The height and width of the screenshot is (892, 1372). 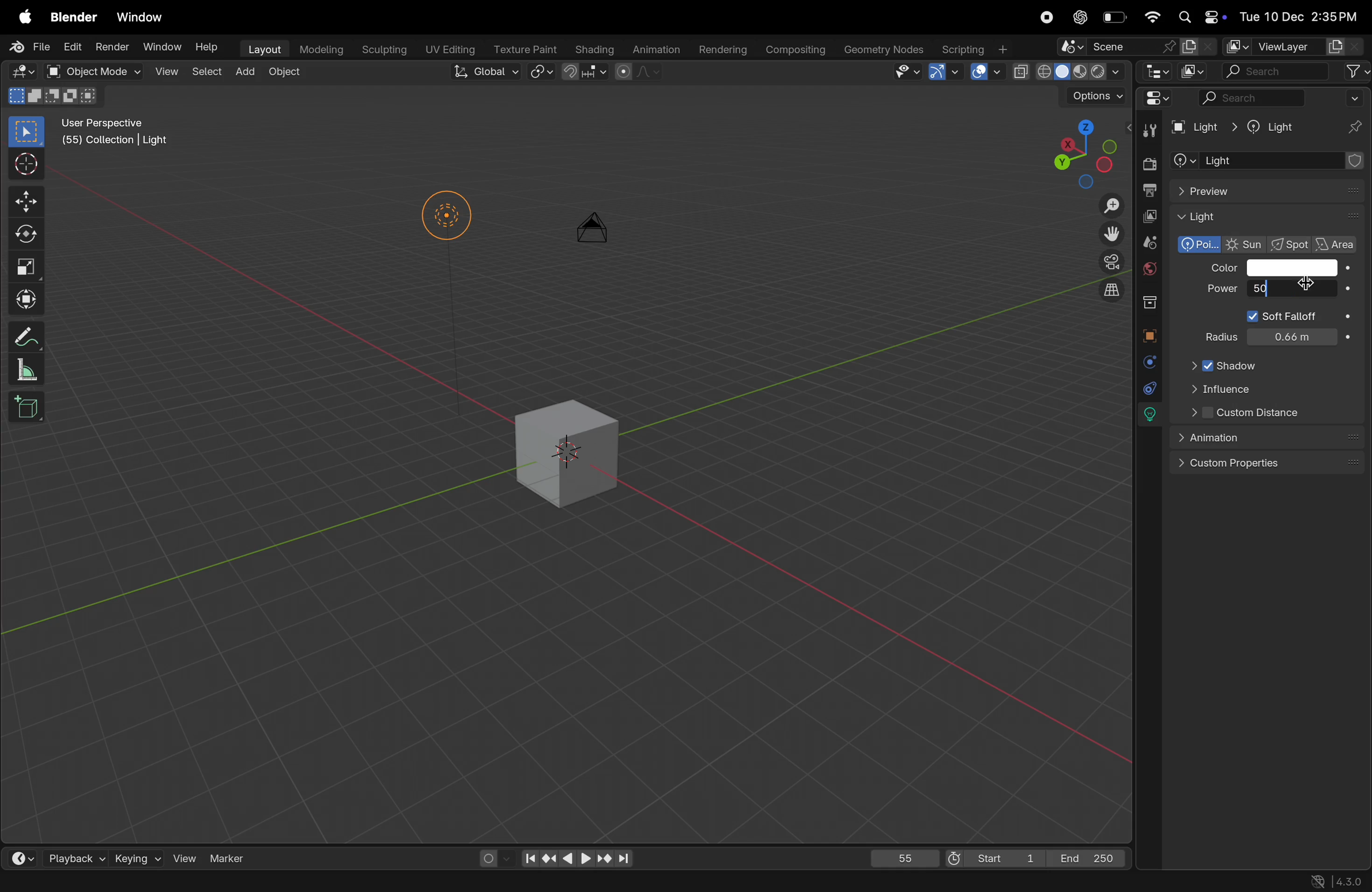 I want to click on view layer, so click(x=1294, y=47).